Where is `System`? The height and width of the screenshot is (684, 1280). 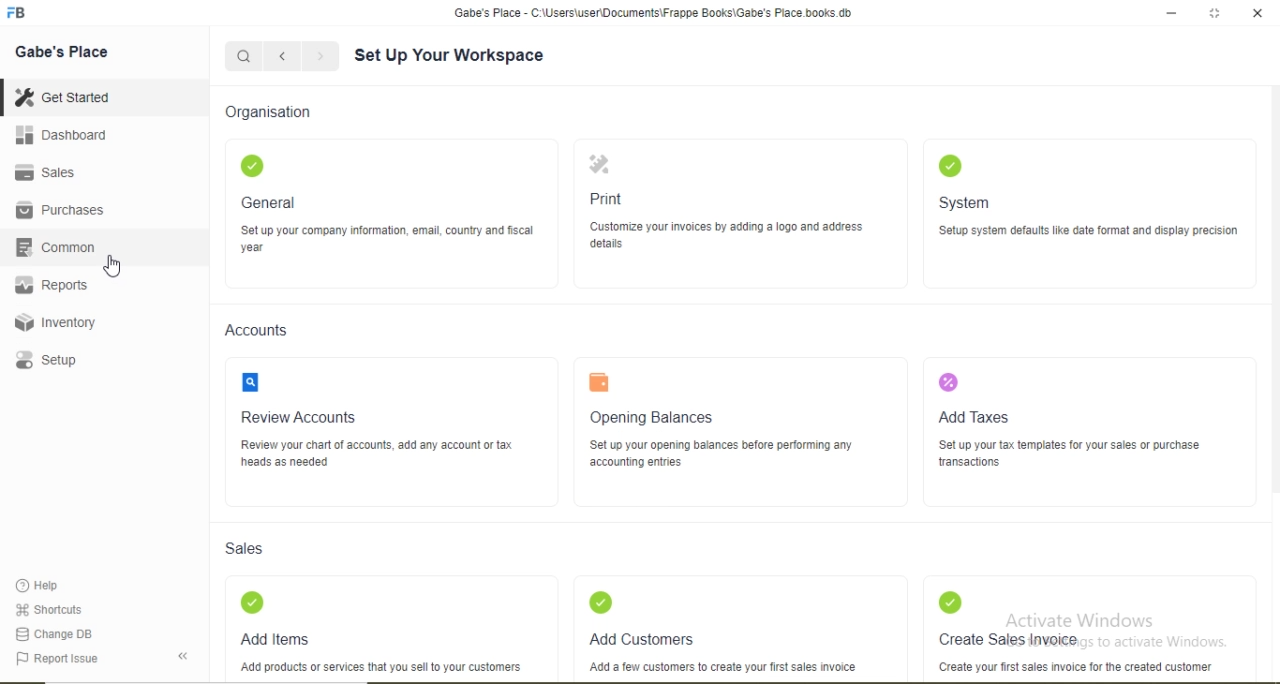
System is located at coordinates (963, 204).